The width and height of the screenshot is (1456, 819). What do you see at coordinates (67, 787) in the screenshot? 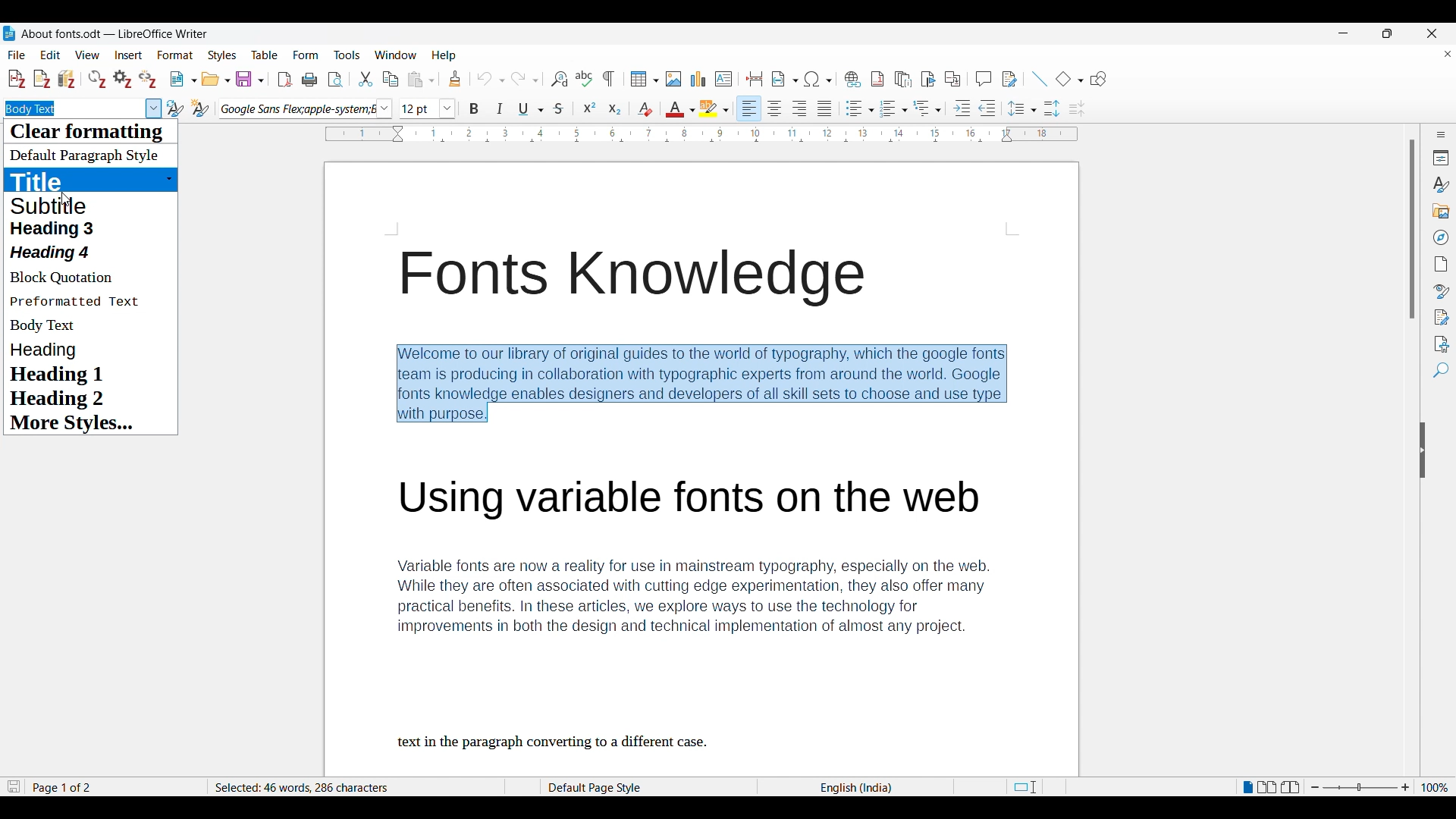
I see `Status bar details about current document` at bounding box center [67, 787].